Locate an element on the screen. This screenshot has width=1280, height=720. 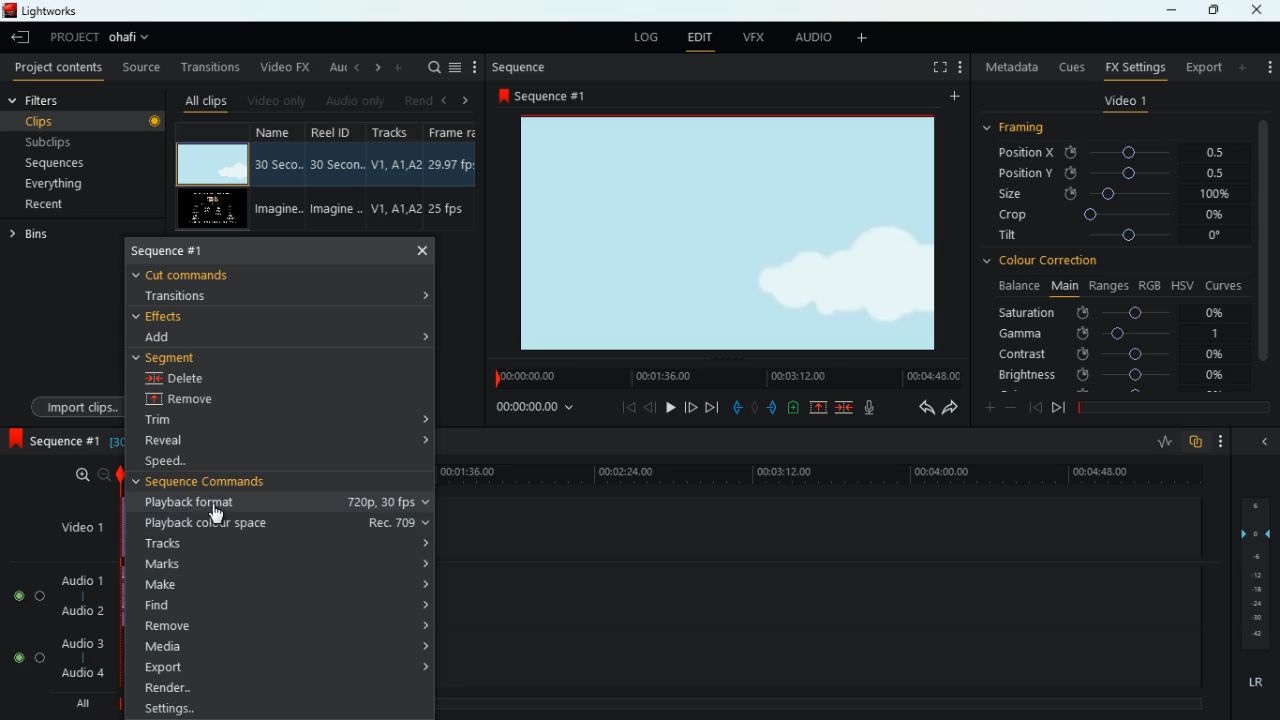
tracks is located at coordinates (393, 177).